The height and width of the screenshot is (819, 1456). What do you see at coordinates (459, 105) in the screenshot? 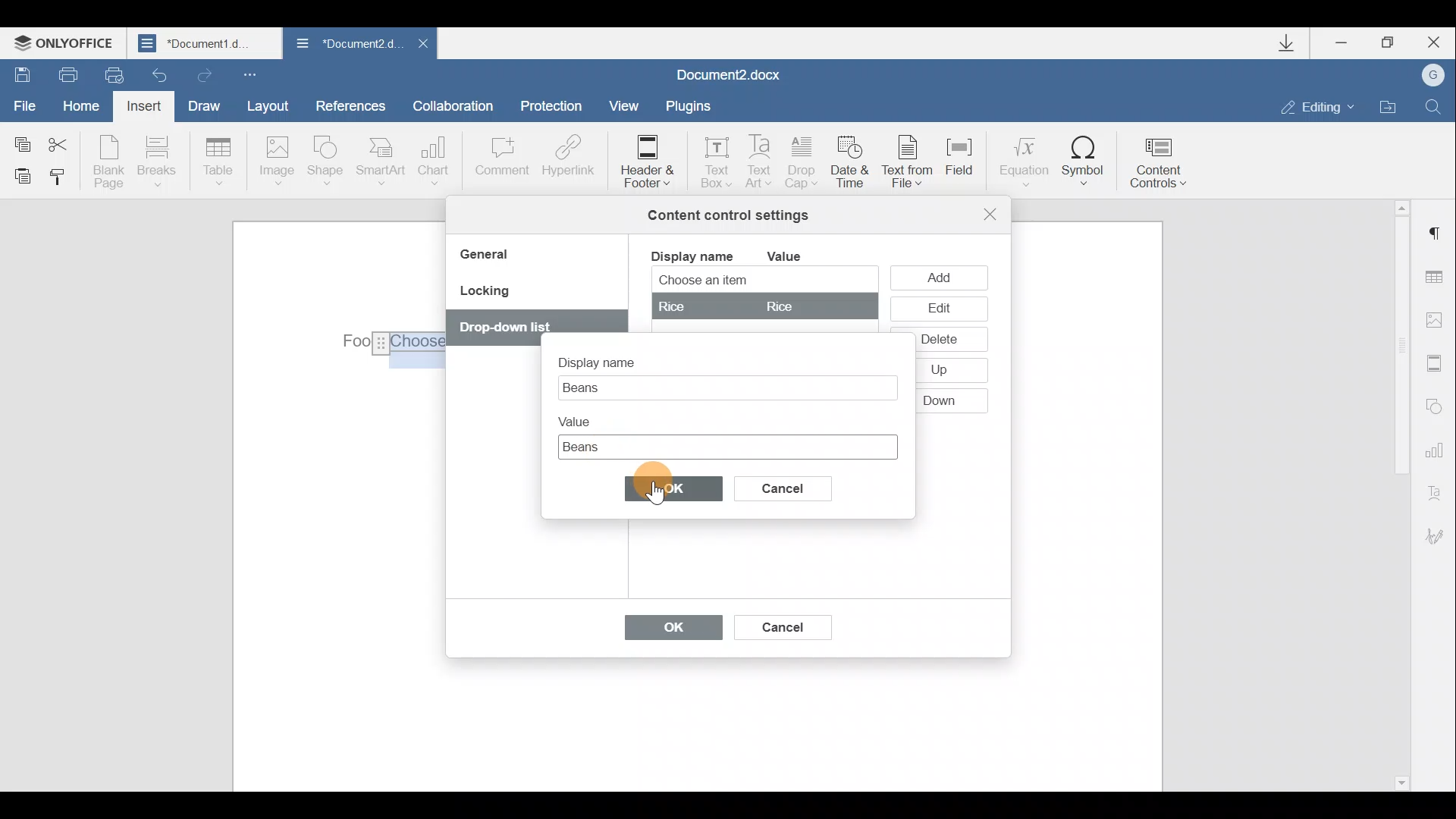
I see `Collaboration` at bounding box center [459, 105].